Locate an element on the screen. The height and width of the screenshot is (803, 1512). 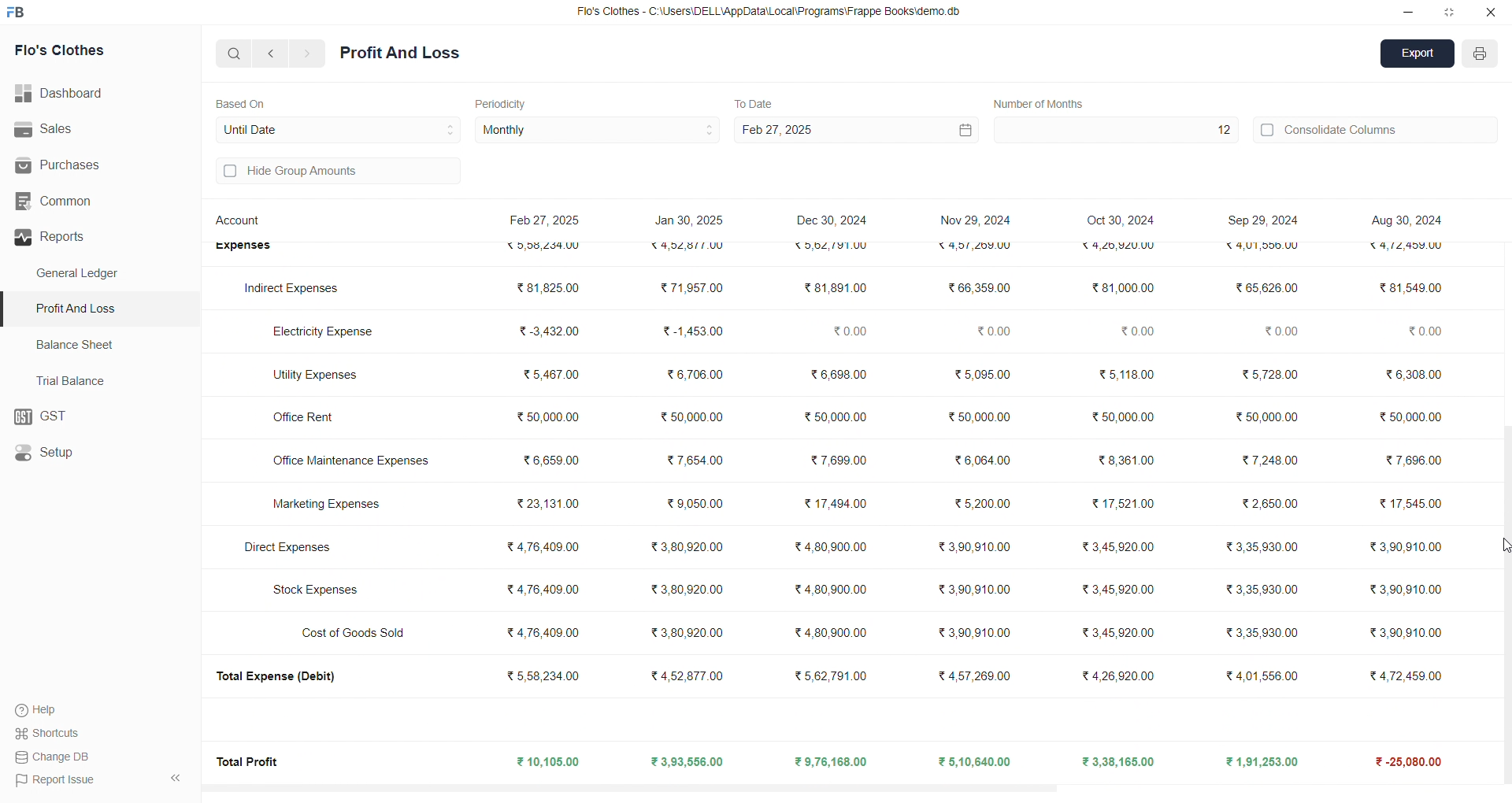
₹3,93,566.00 is located at coordinates (686, 762).